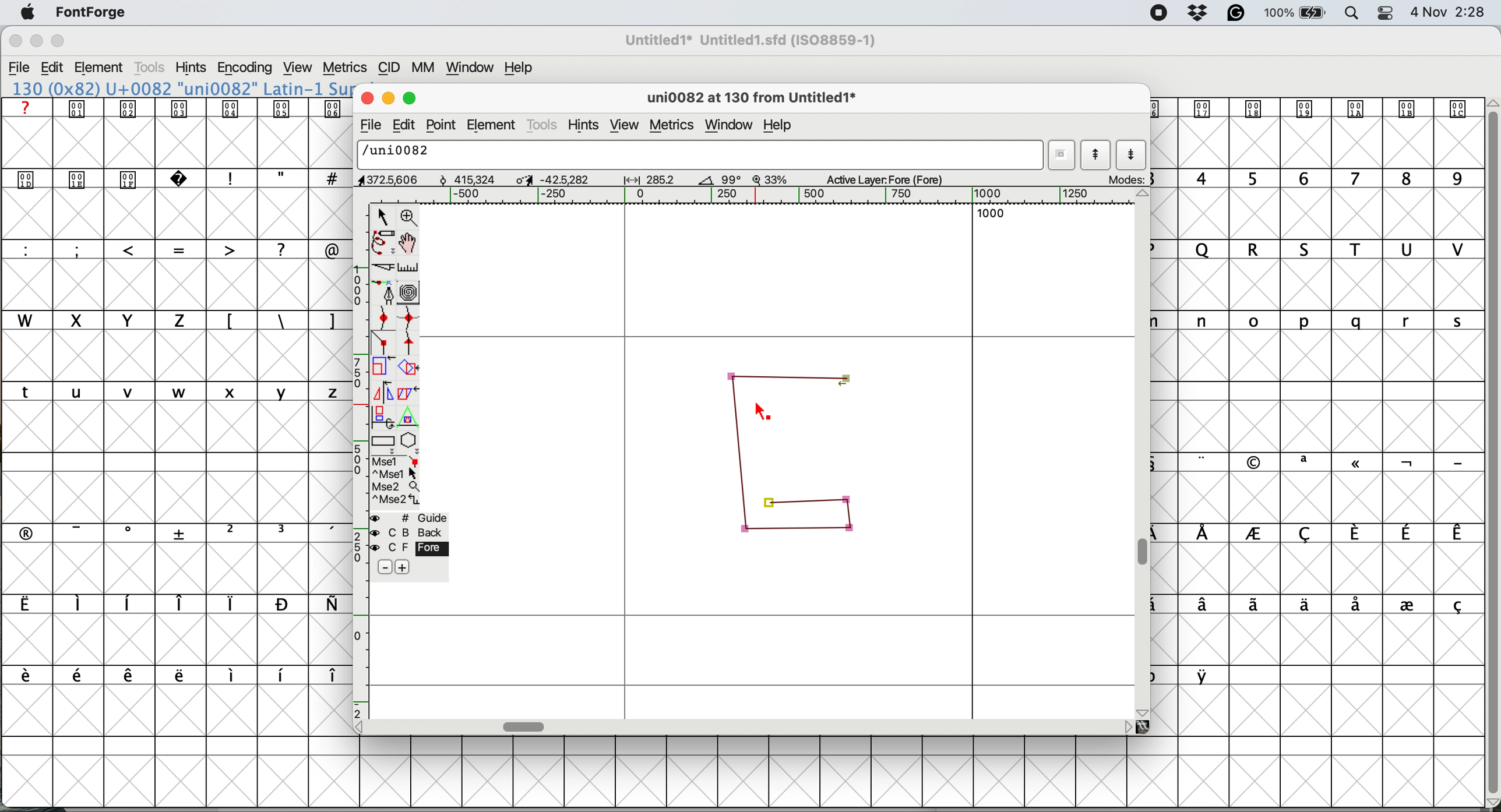  Describe the element at coordinates (344, 68) in the screenshot. I see `metrics` at that location.